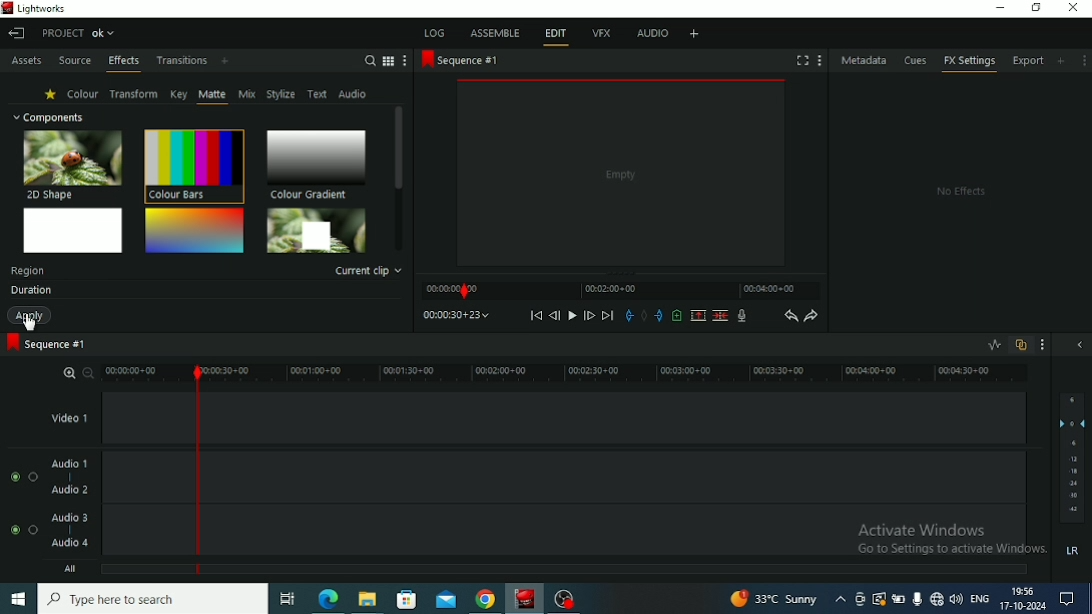 The height and width of the screenshot is (614, 1092). What do you see at coordinates (958, 598) in the screenshot?
I see `speakers` at bounding box center [958, 598].